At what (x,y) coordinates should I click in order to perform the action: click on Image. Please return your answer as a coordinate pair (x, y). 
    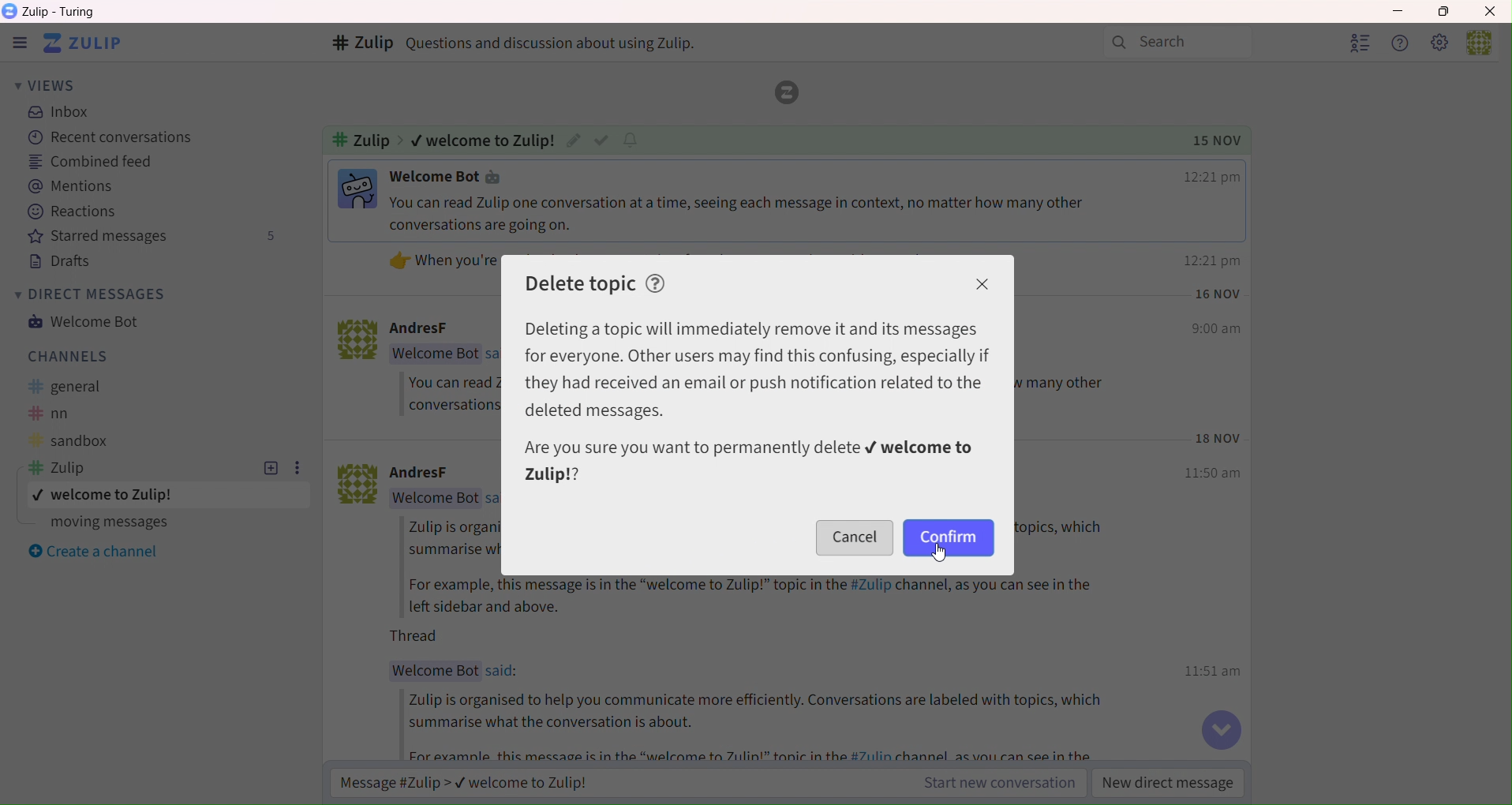
    Looking at the image, I should click on (357, 188).